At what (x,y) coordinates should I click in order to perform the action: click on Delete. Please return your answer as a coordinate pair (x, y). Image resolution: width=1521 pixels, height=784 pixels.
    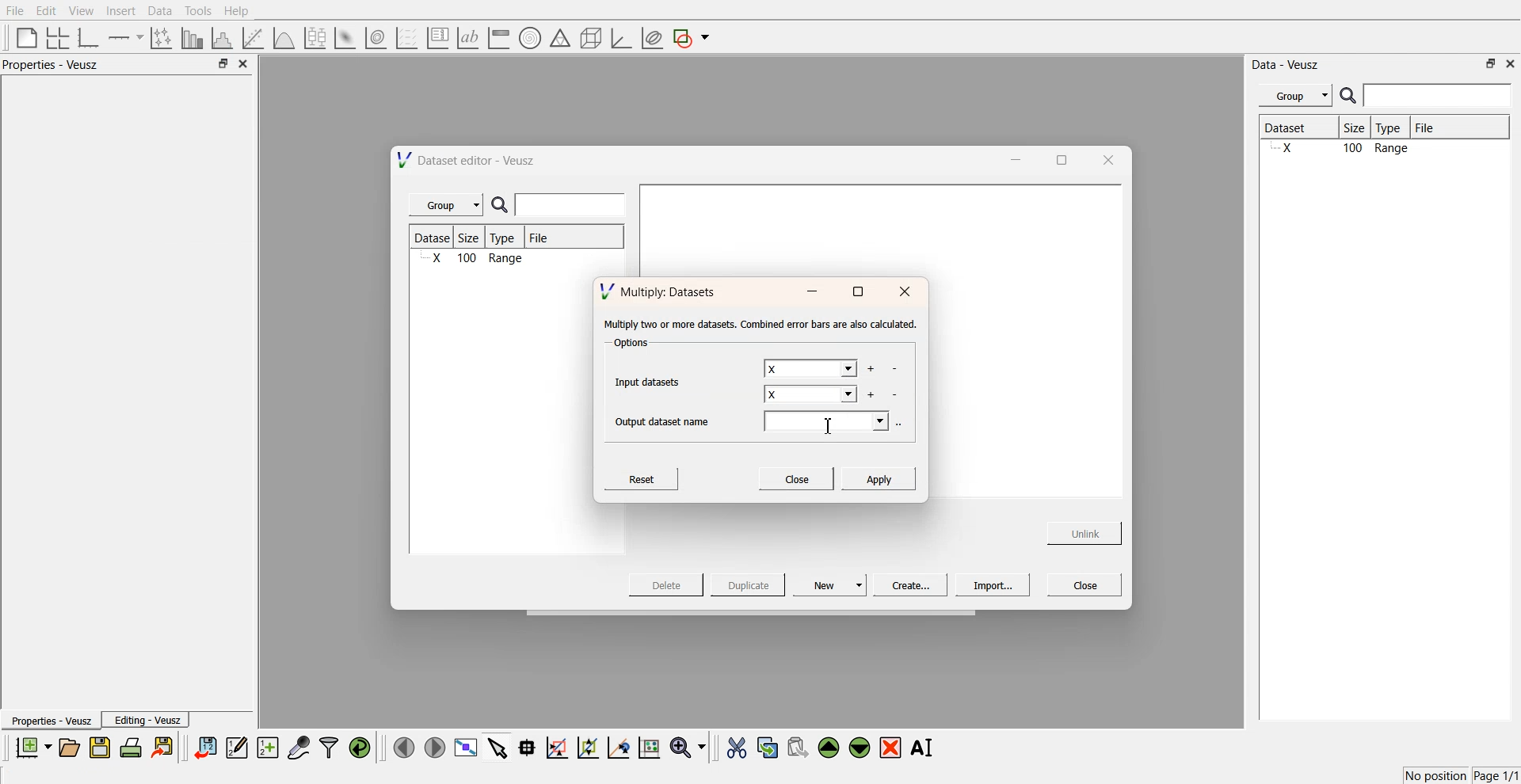
    Looking at the image, I should click on (668, 584).